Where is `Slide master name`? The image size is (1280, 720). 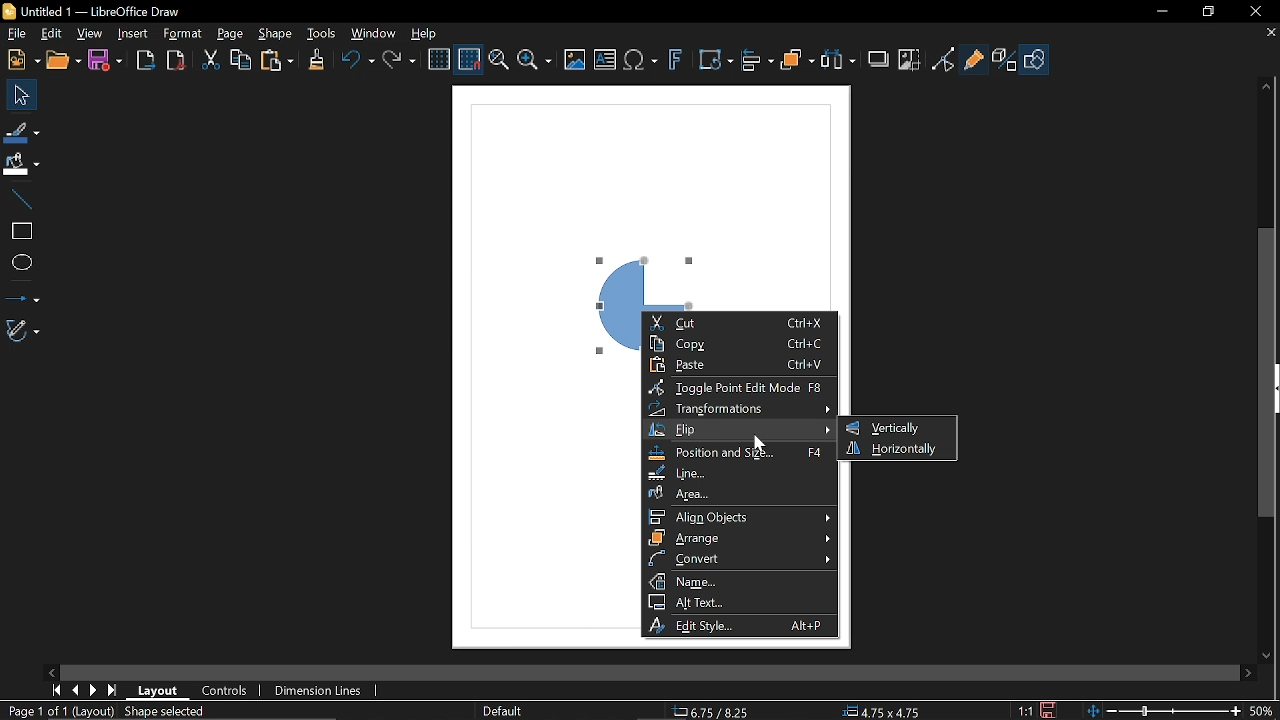
Slide master name is located at coordinates (504, 711).